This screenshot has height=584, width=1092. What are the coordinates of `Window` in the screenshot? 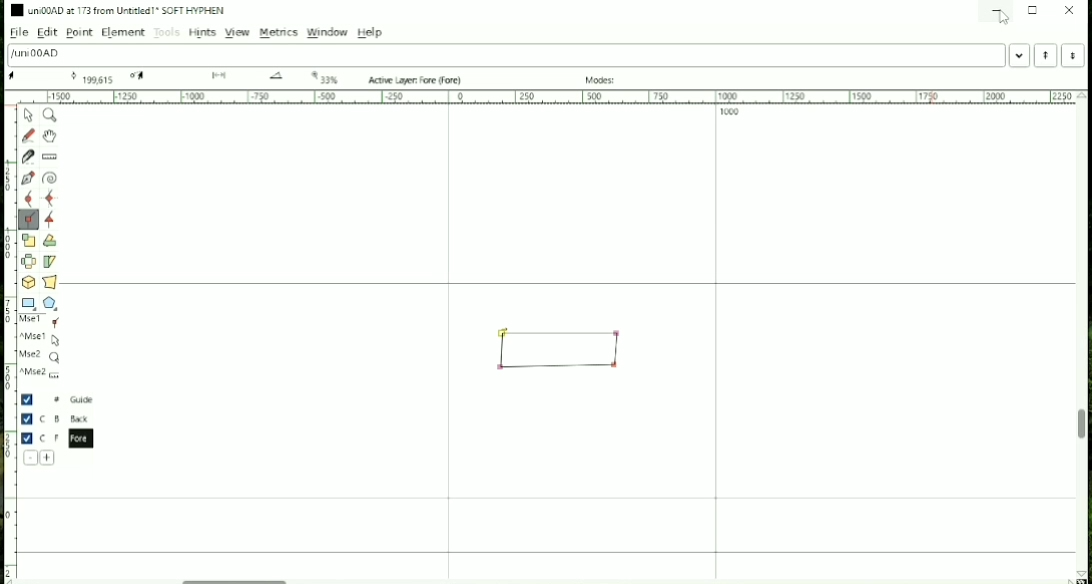 It's located at (328, 32).